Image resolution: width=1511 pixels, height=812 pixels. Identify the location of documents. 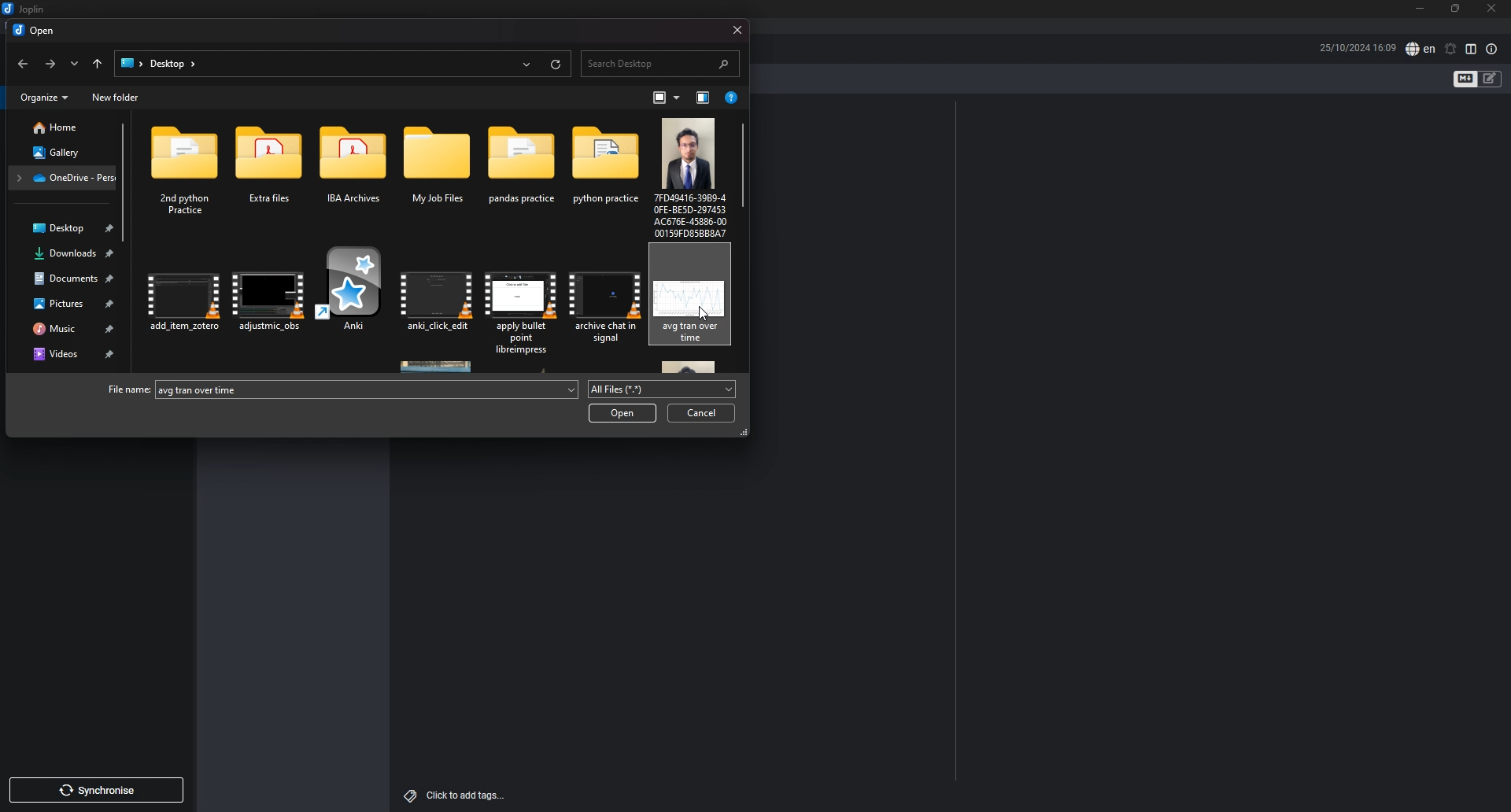
(68, 279).